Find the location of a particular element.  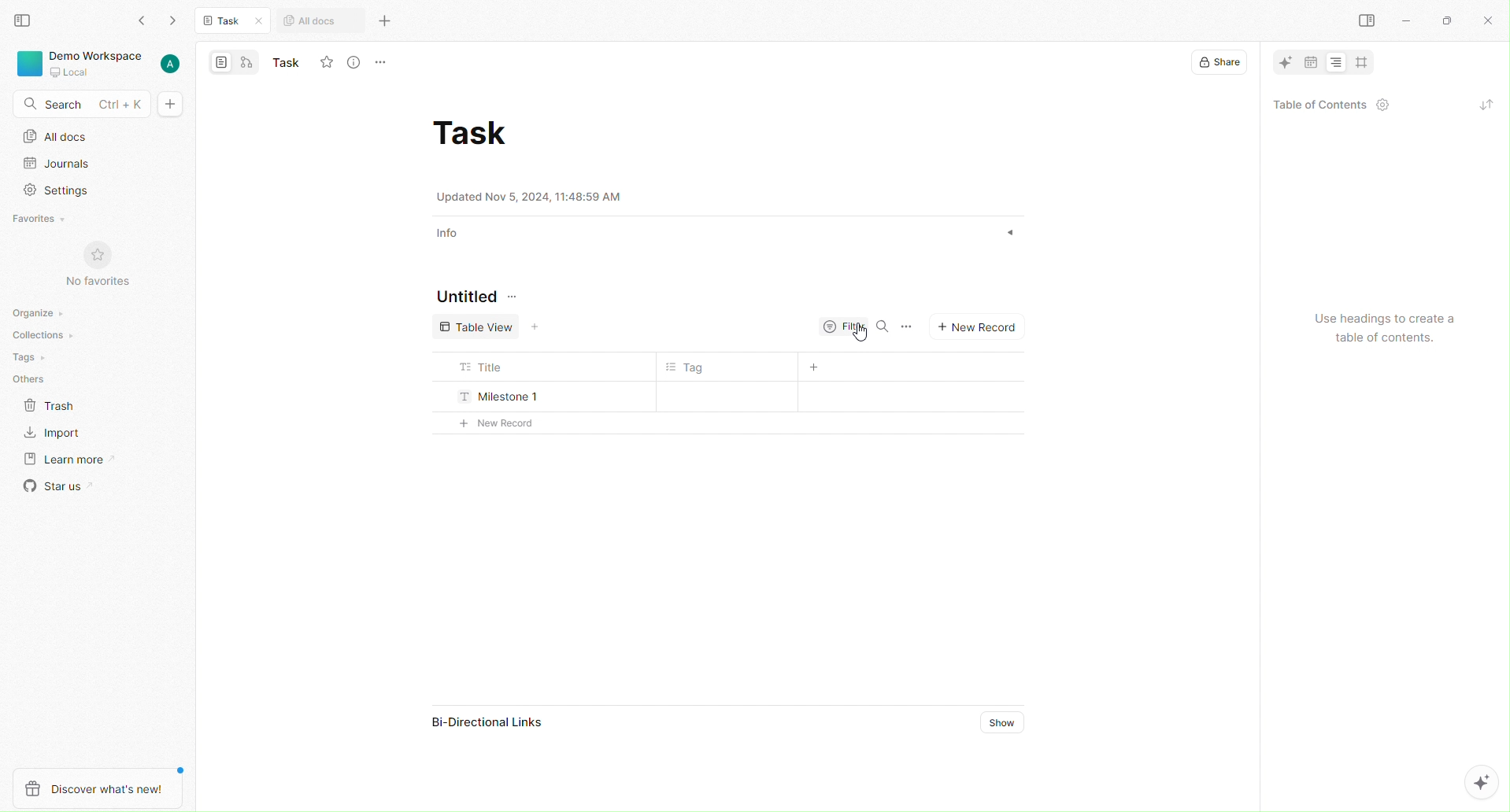

Trash is located at coordinates (49, 408).